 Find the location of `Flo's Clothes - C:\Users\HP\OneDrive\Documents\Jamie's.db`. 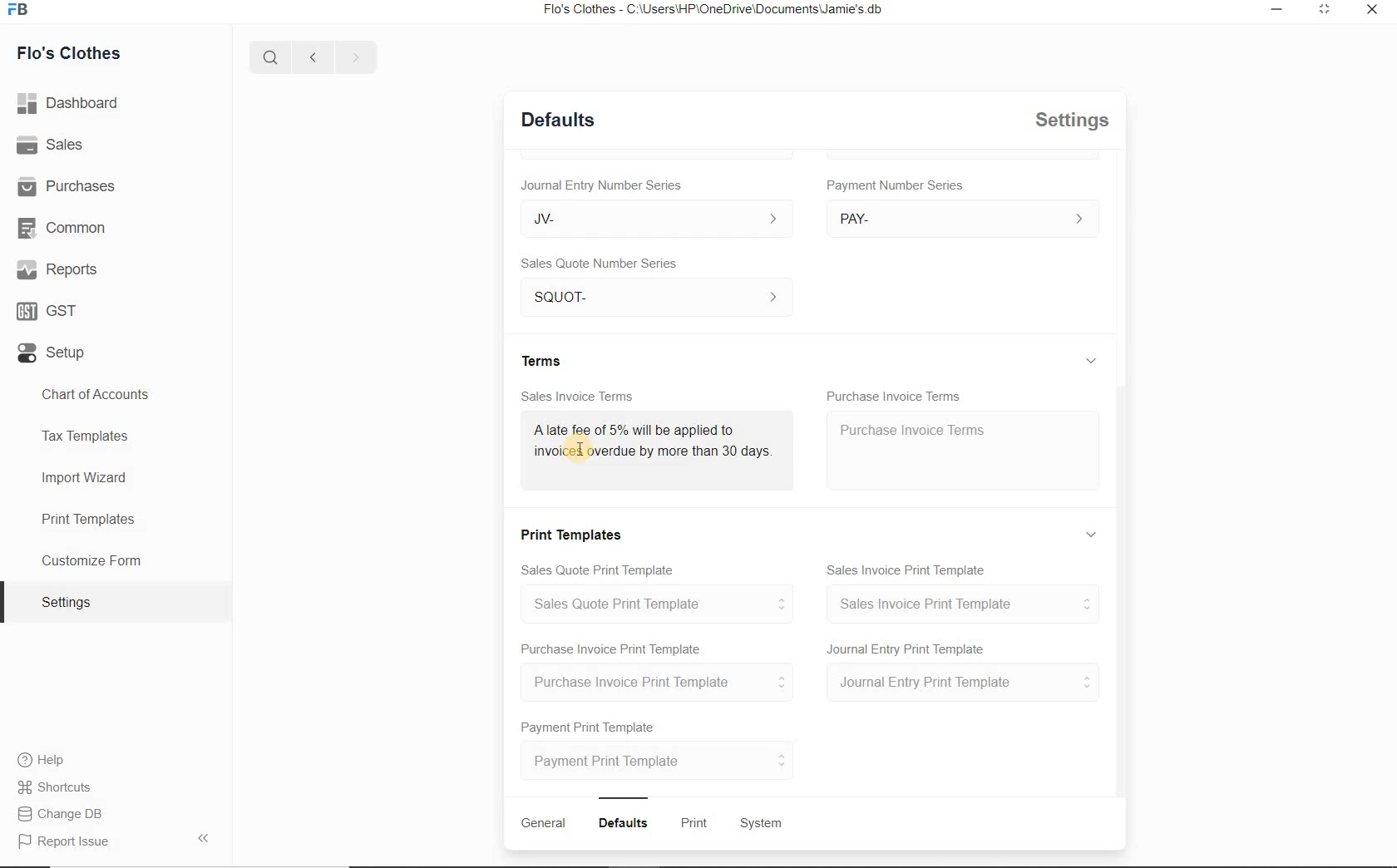

Flo's Clothes - C:\Users\HP\OneDrive\Documents\Jamie's.db is located at coordinates (718, 11).